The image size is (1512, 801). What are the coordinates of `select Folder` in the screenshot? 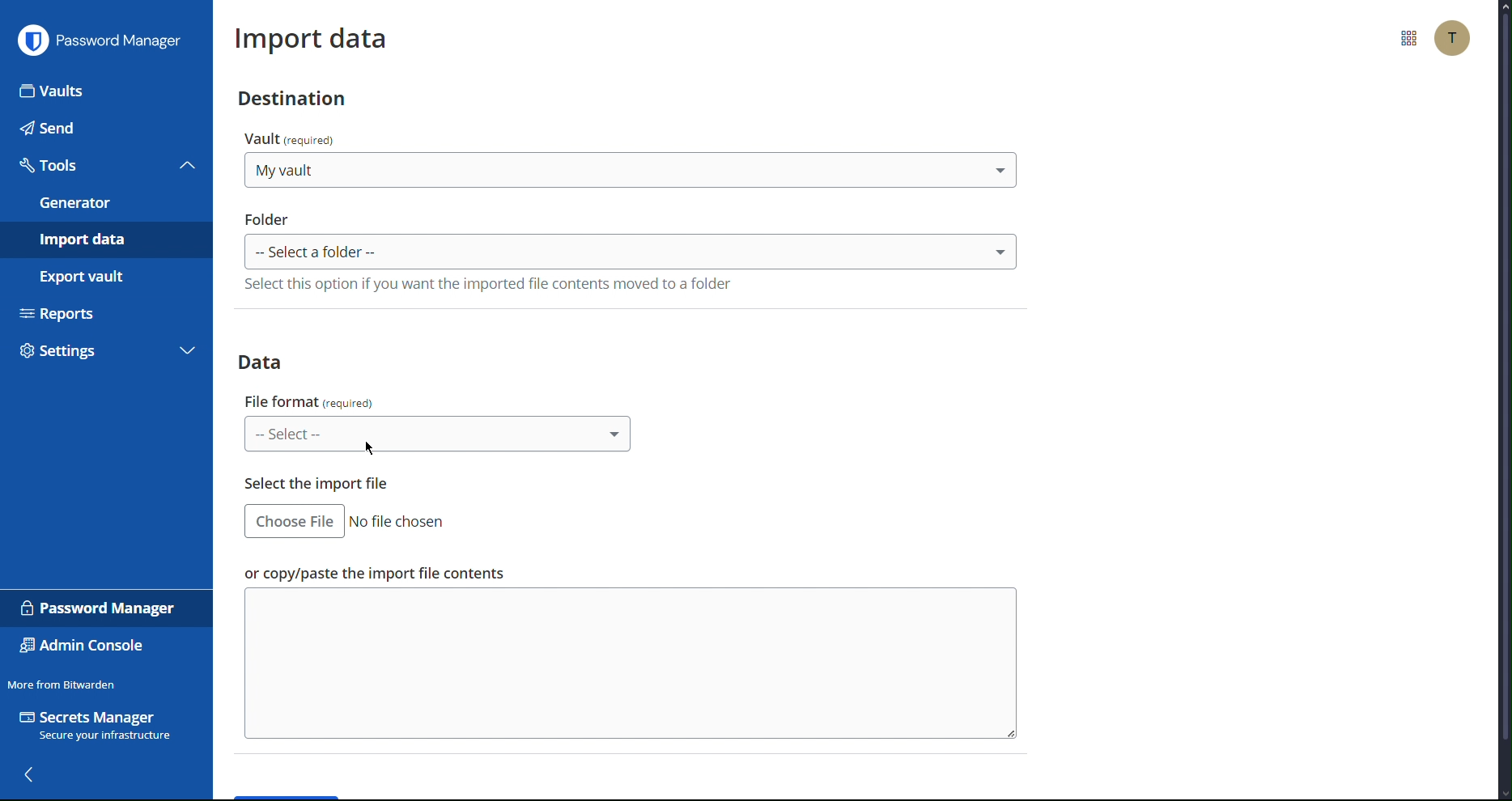 It's located at (631, 251).